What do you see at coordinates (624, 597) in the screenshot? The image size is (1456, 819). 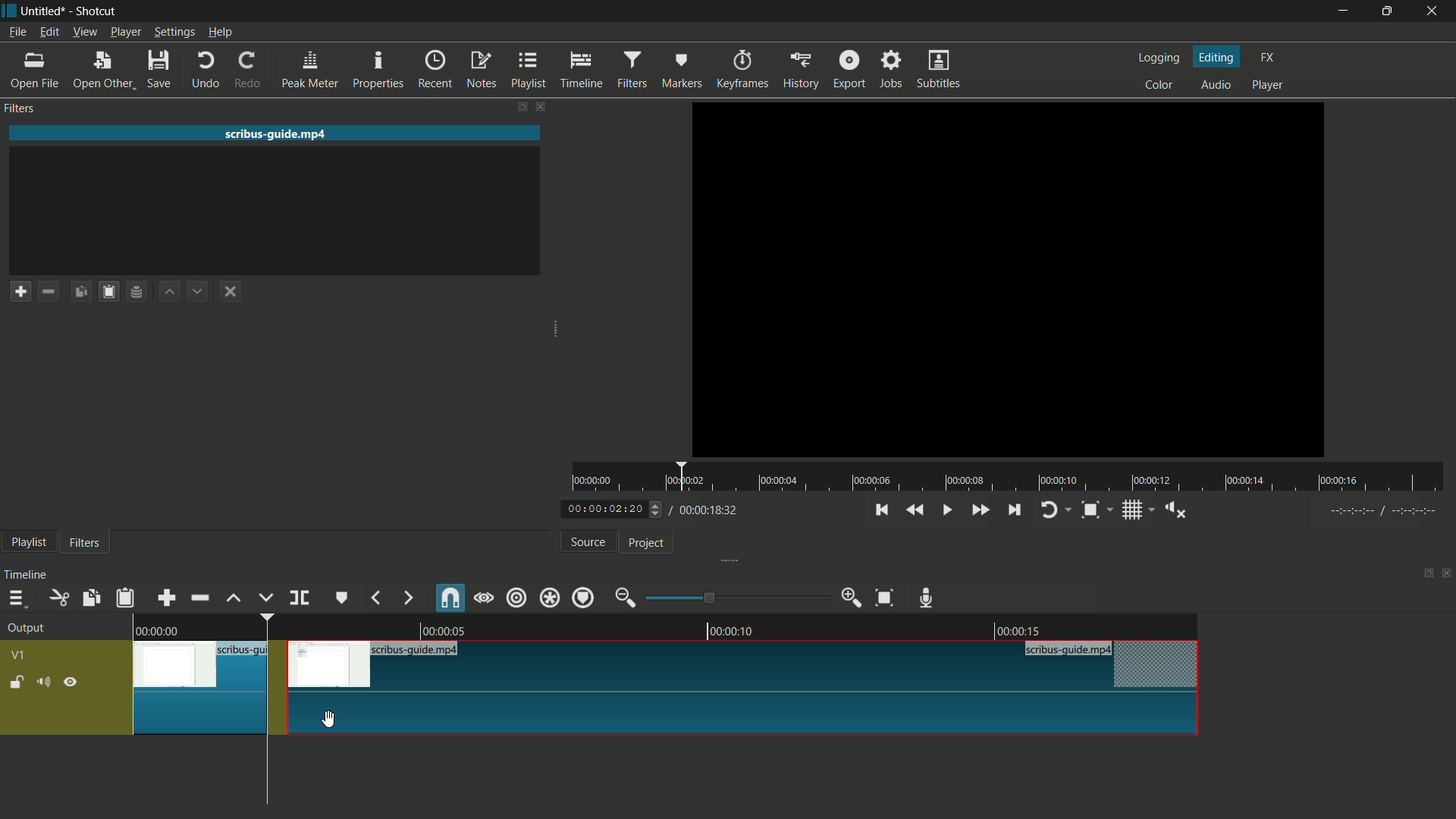 I see `zoom out` at bounding box center [624, 597].